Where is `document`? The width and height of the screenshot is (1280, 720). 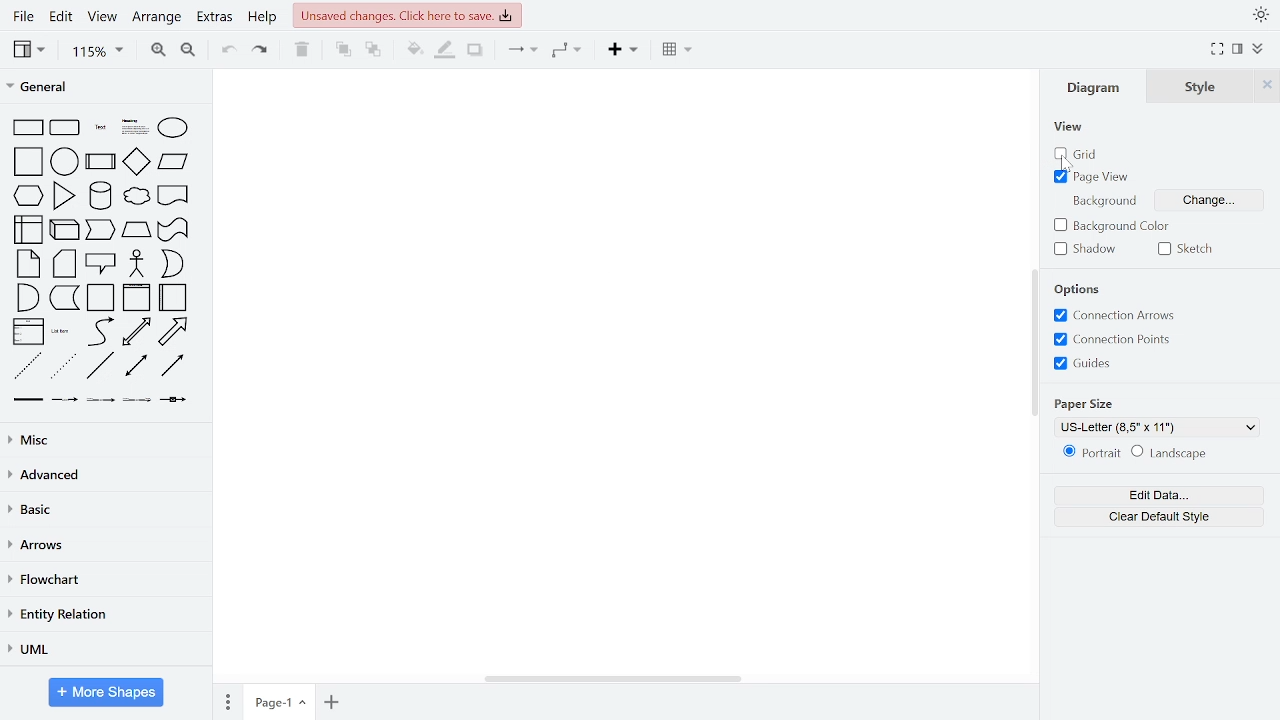
document is located at coordinates (174, 195).